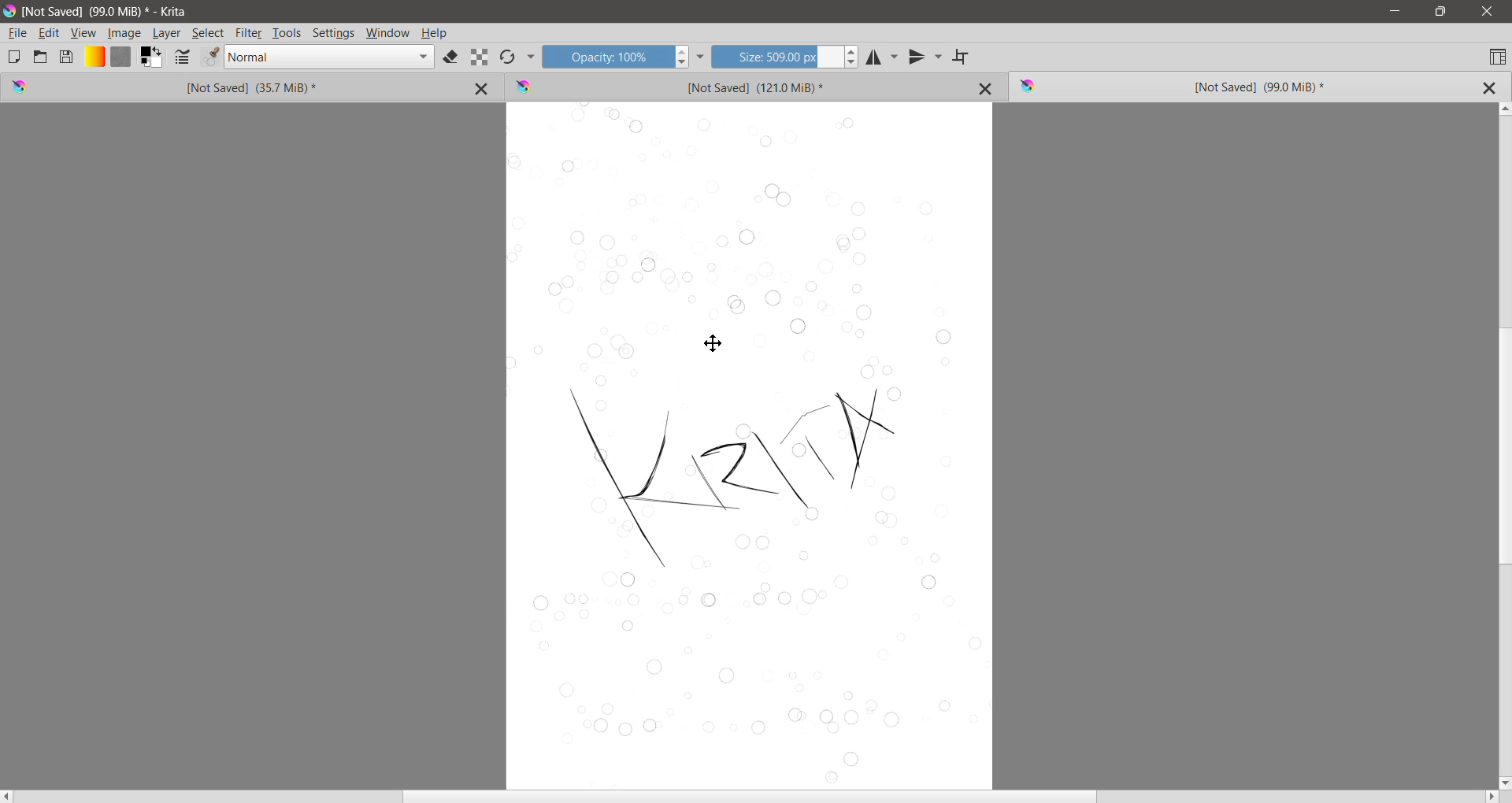  What do you see at coordinates (883, 56) in the screenshot?
I see `Horizontal Mirror Tool` at bounding box center [883, 56].